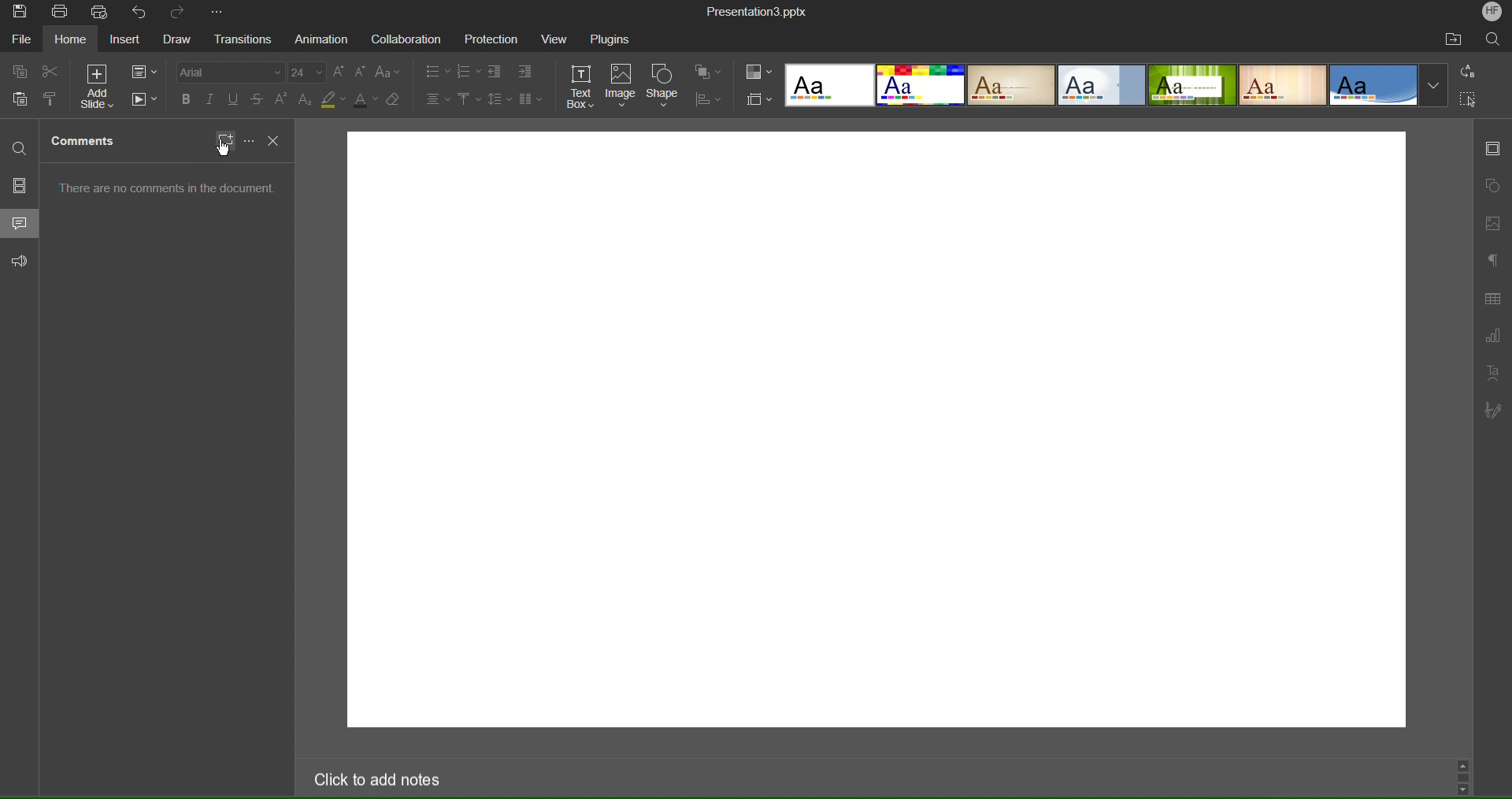  Describe the element at coordinates (362, 75) in the screenshot. I see `Decrease Size` at that location.